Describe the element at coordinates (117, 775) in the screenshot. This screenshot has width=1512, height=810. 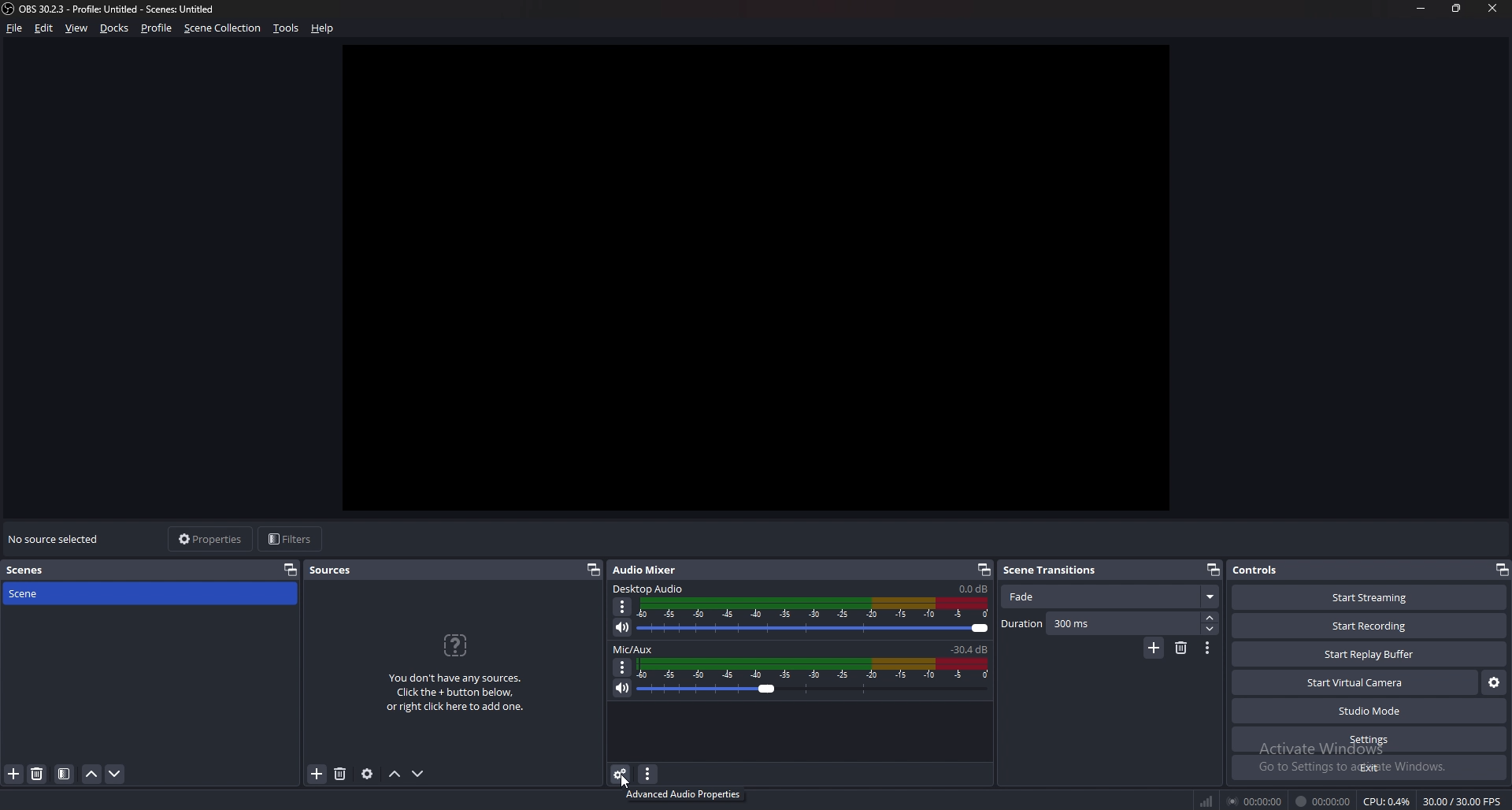
I see `move scene down` at that location.